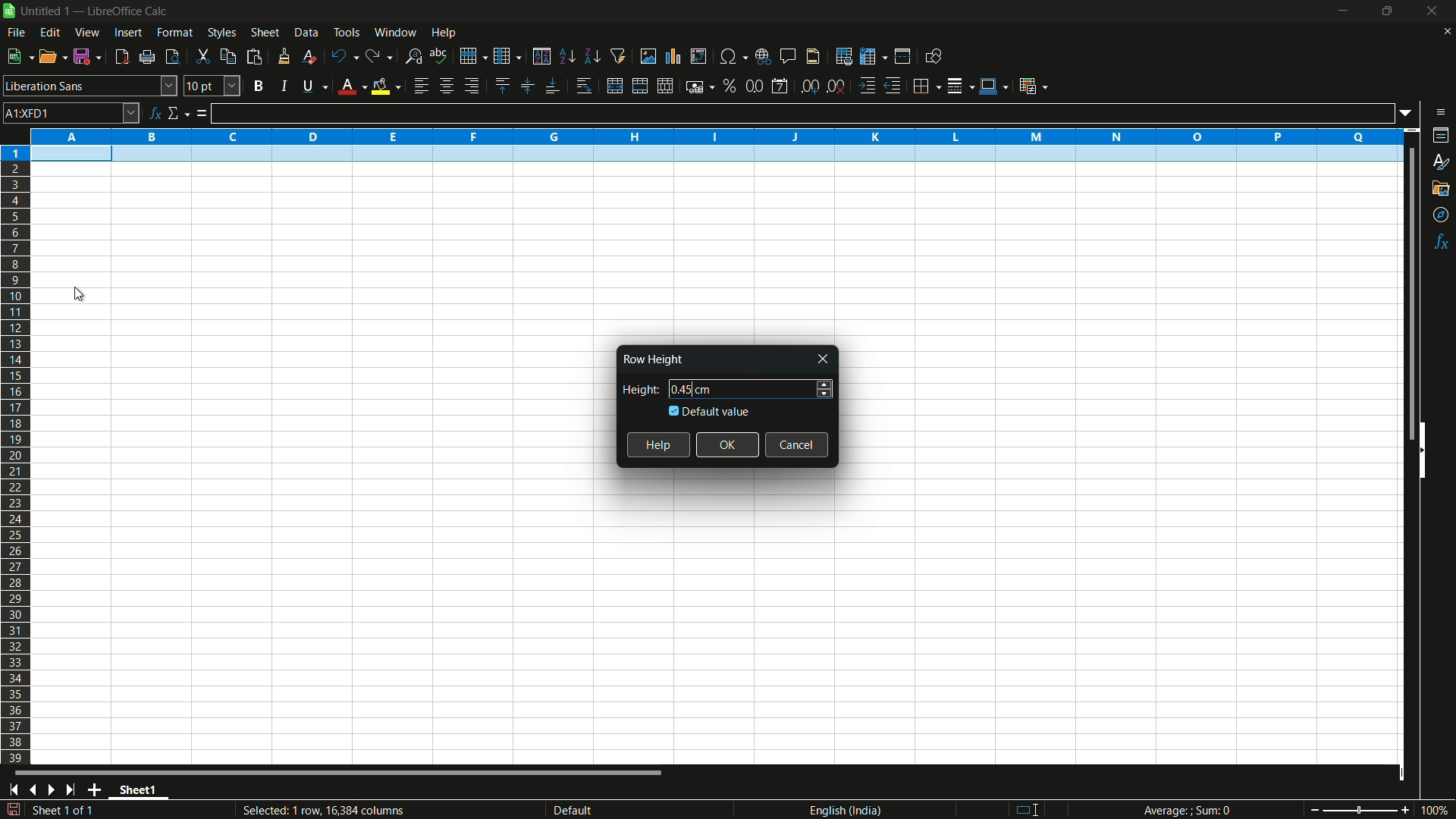 Image resolution: width=1456 pixels, height=819 pixels. What do you see at coordinates (825, 382) in the screenshot?
I see `increase height` at bounding box center [825, 382].